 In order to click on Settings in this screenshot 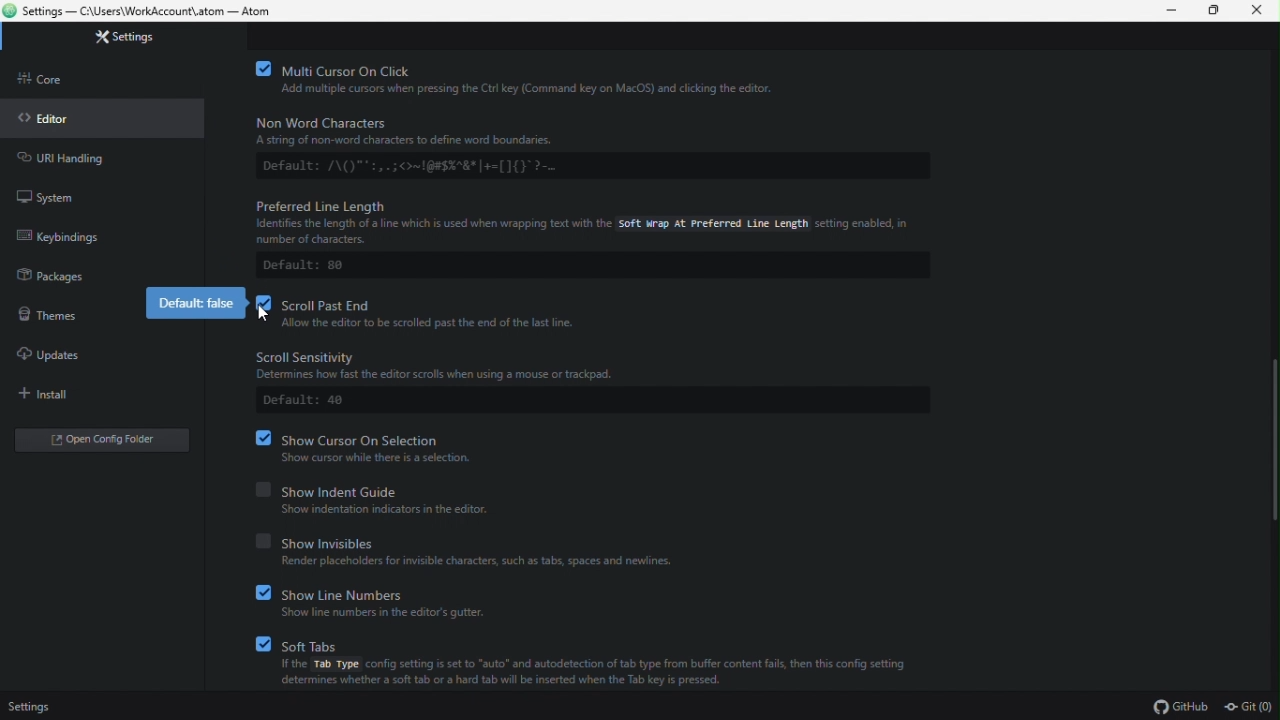, I will do `click(135, 39)`.